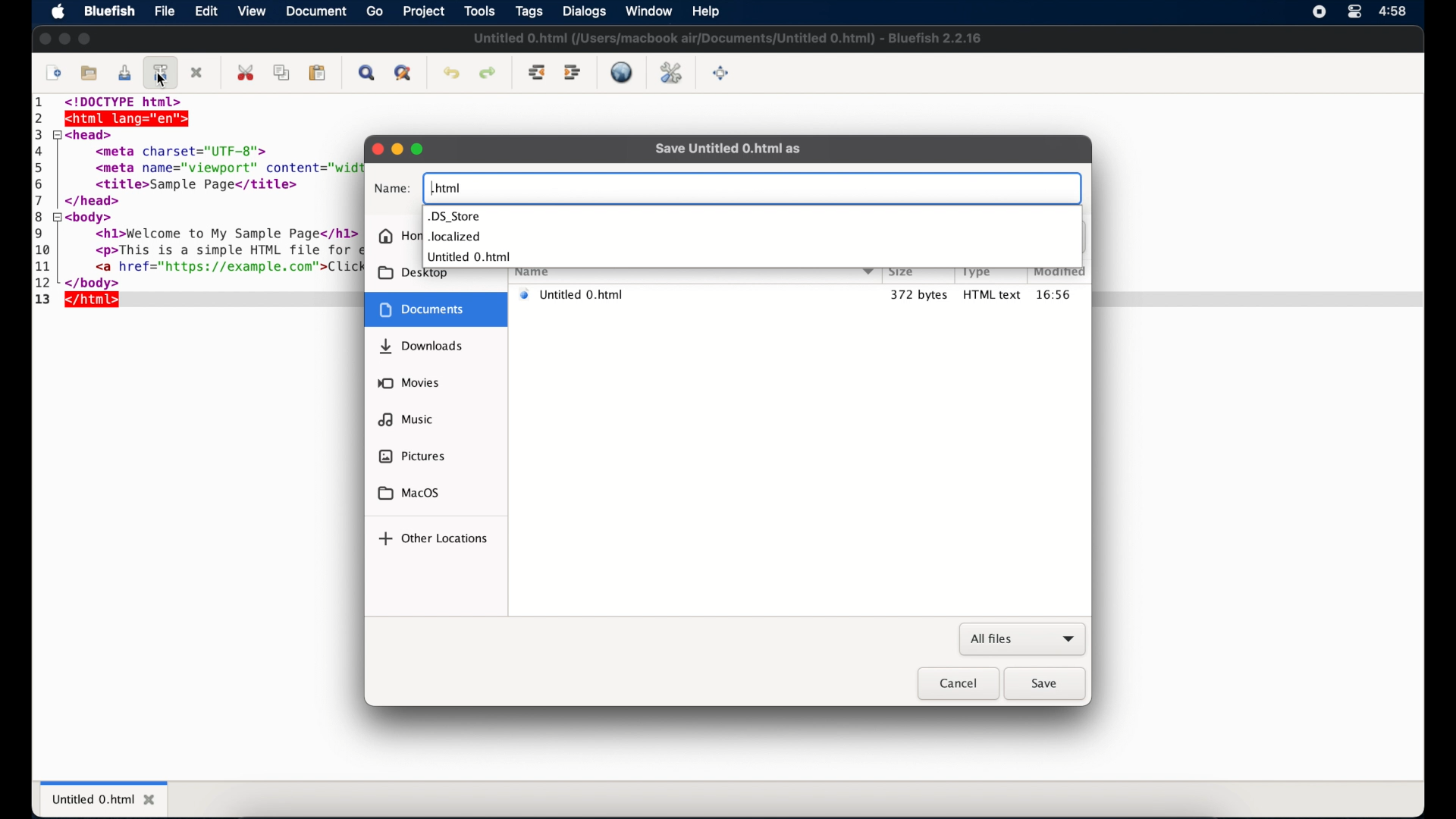 This screenshot has height=819, width=1456. I want to click on 12, so click(45, 283).